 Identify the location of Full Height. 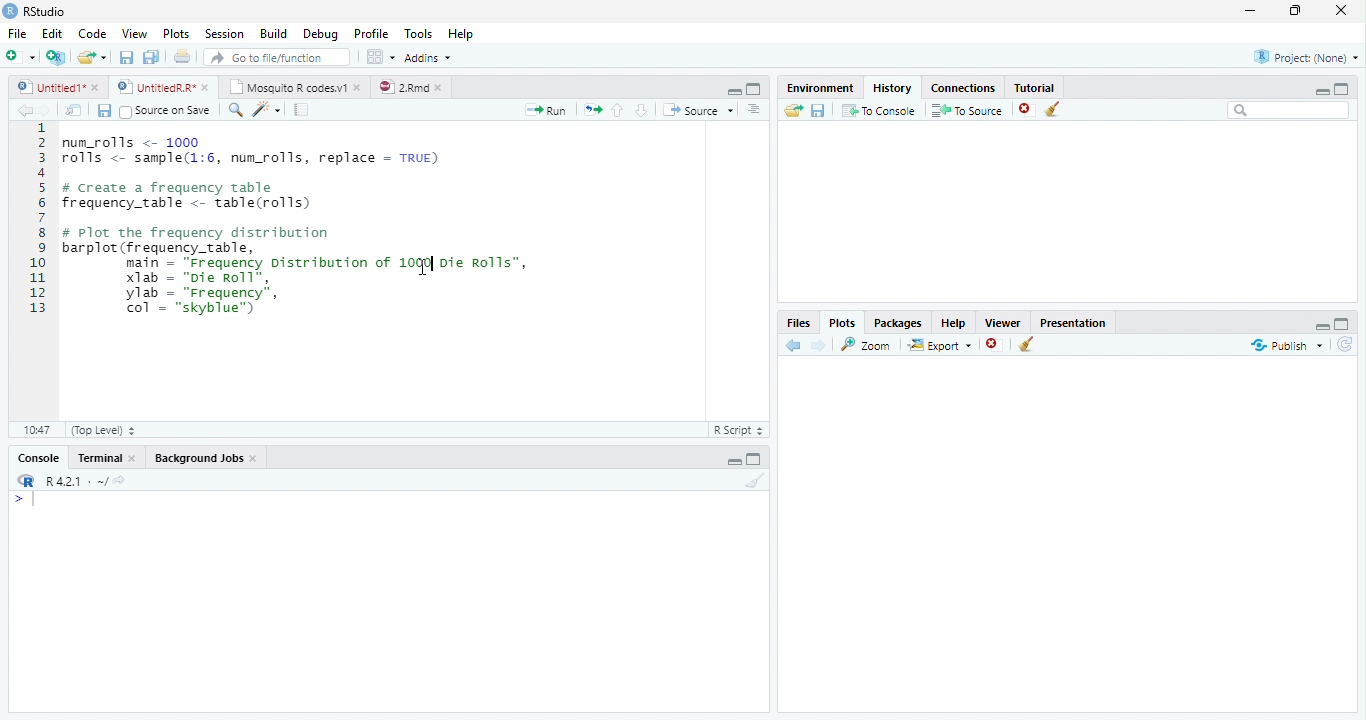
(1344, 324).